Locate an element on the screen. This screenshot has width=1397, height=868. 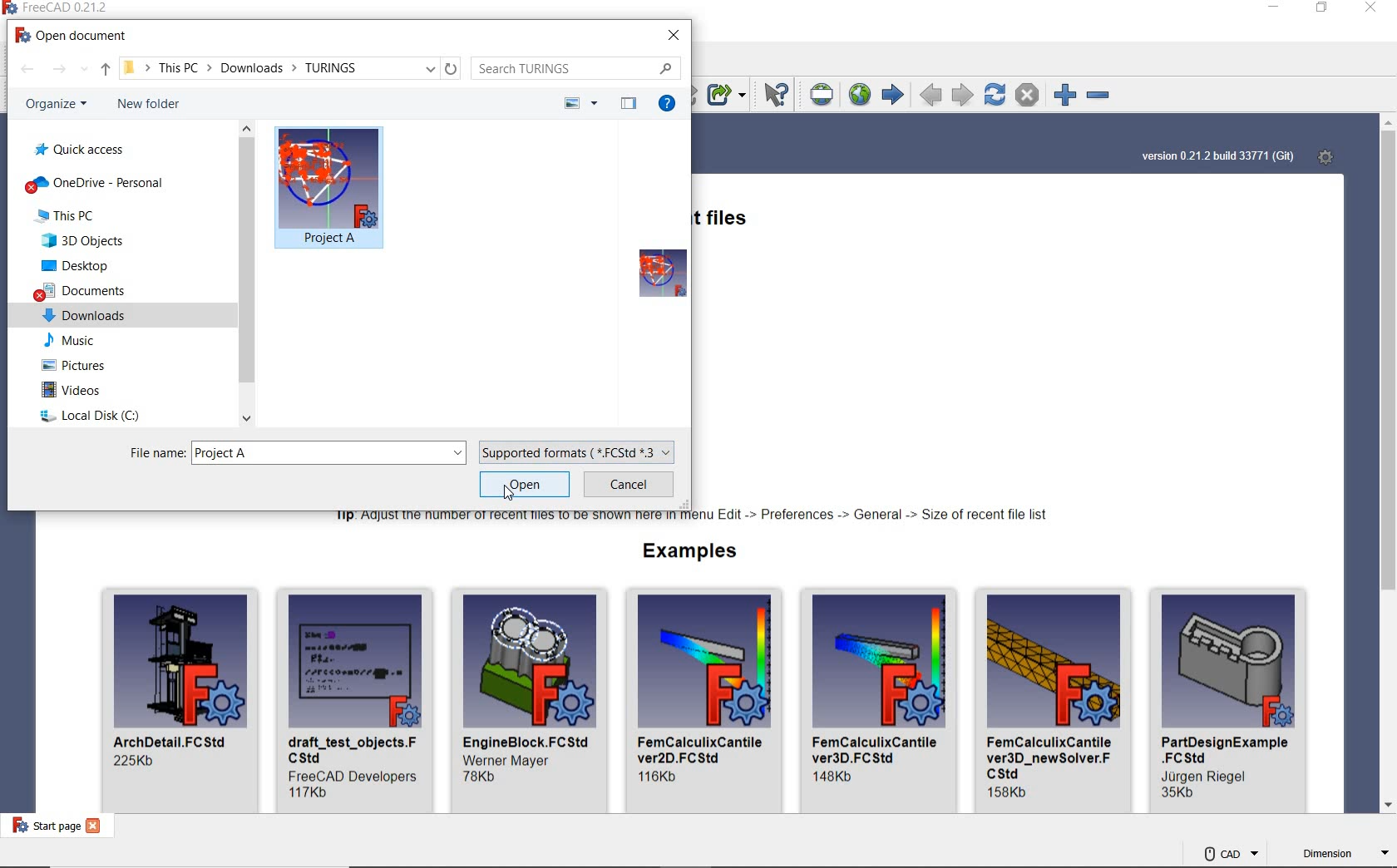
FILE NAME is located at coordinates (329, 455).